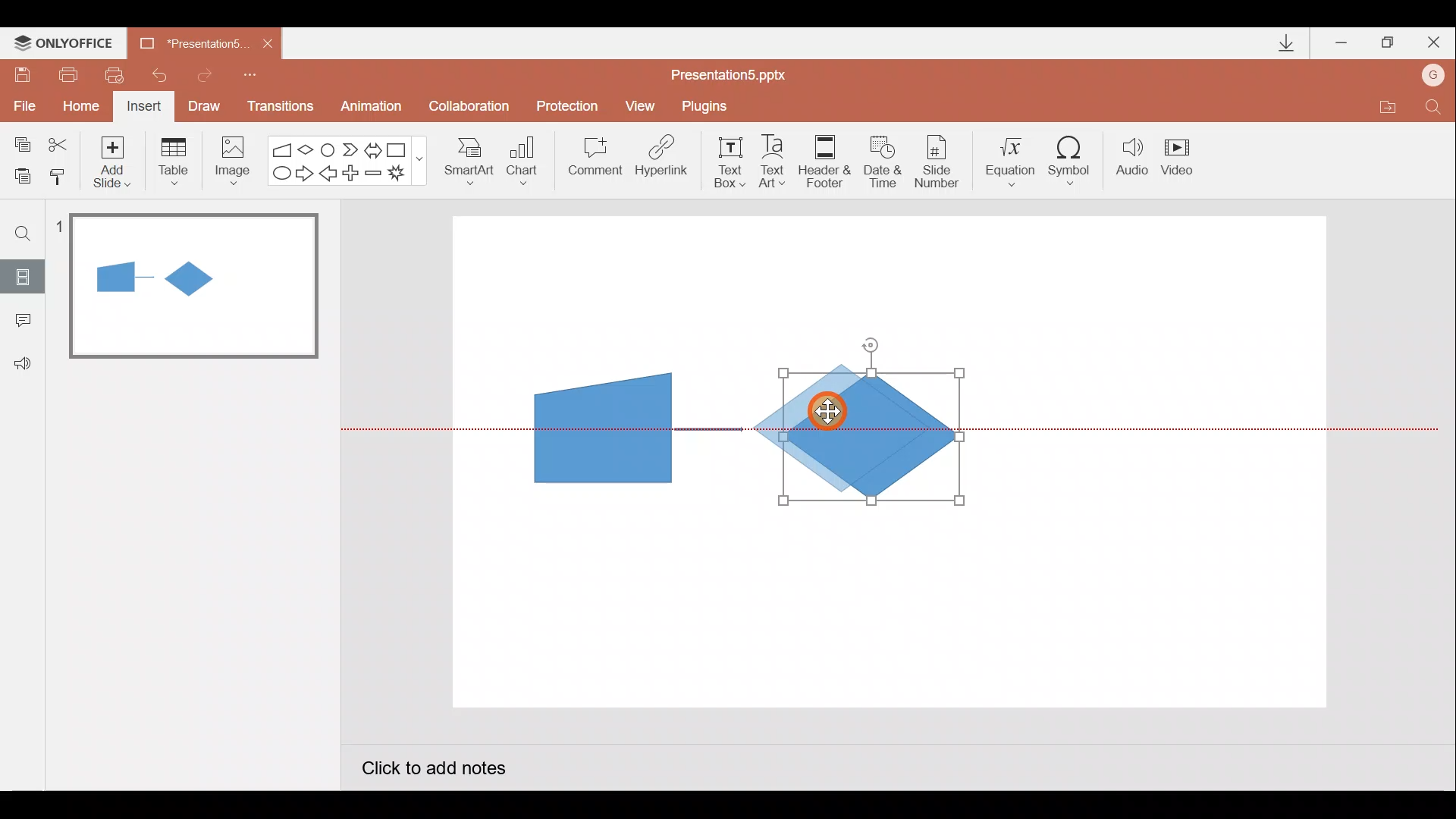 This screenshot has width=1456, height=819. I want to click on Flow chart-decision, so click(308, 149).